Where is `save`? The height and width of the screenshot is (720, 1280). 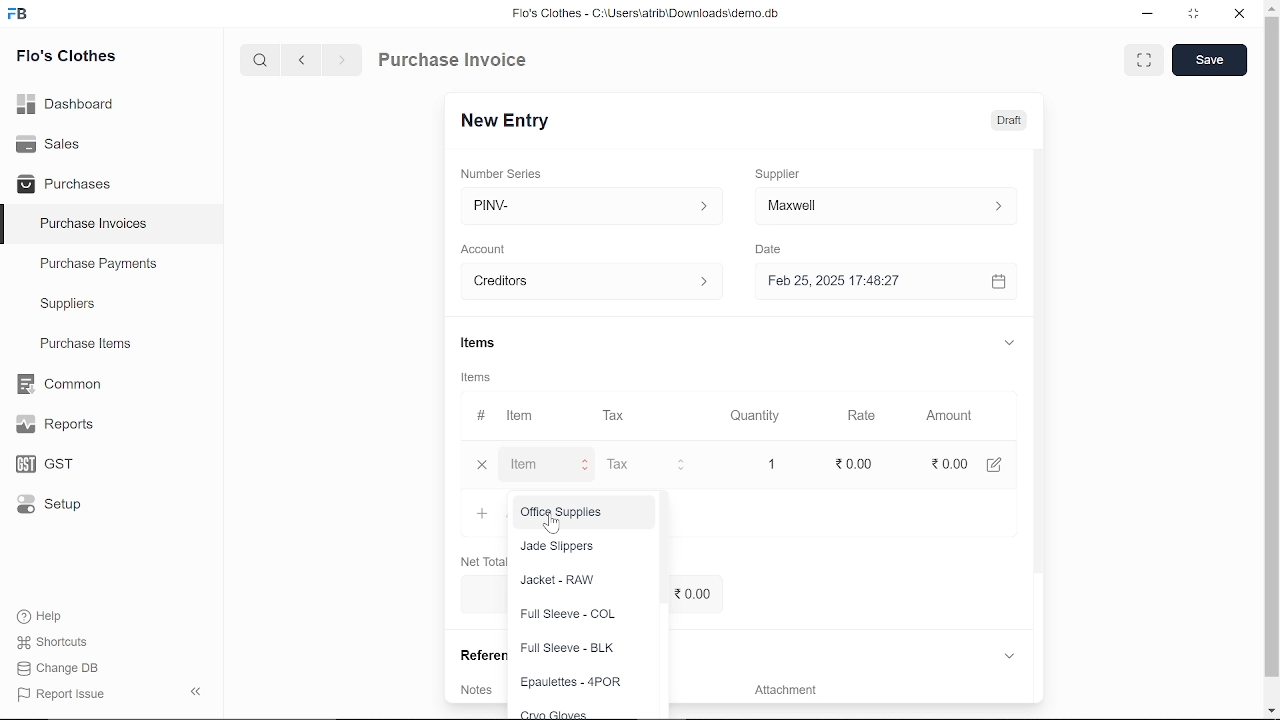
save is located at coordinates (1209, 61).